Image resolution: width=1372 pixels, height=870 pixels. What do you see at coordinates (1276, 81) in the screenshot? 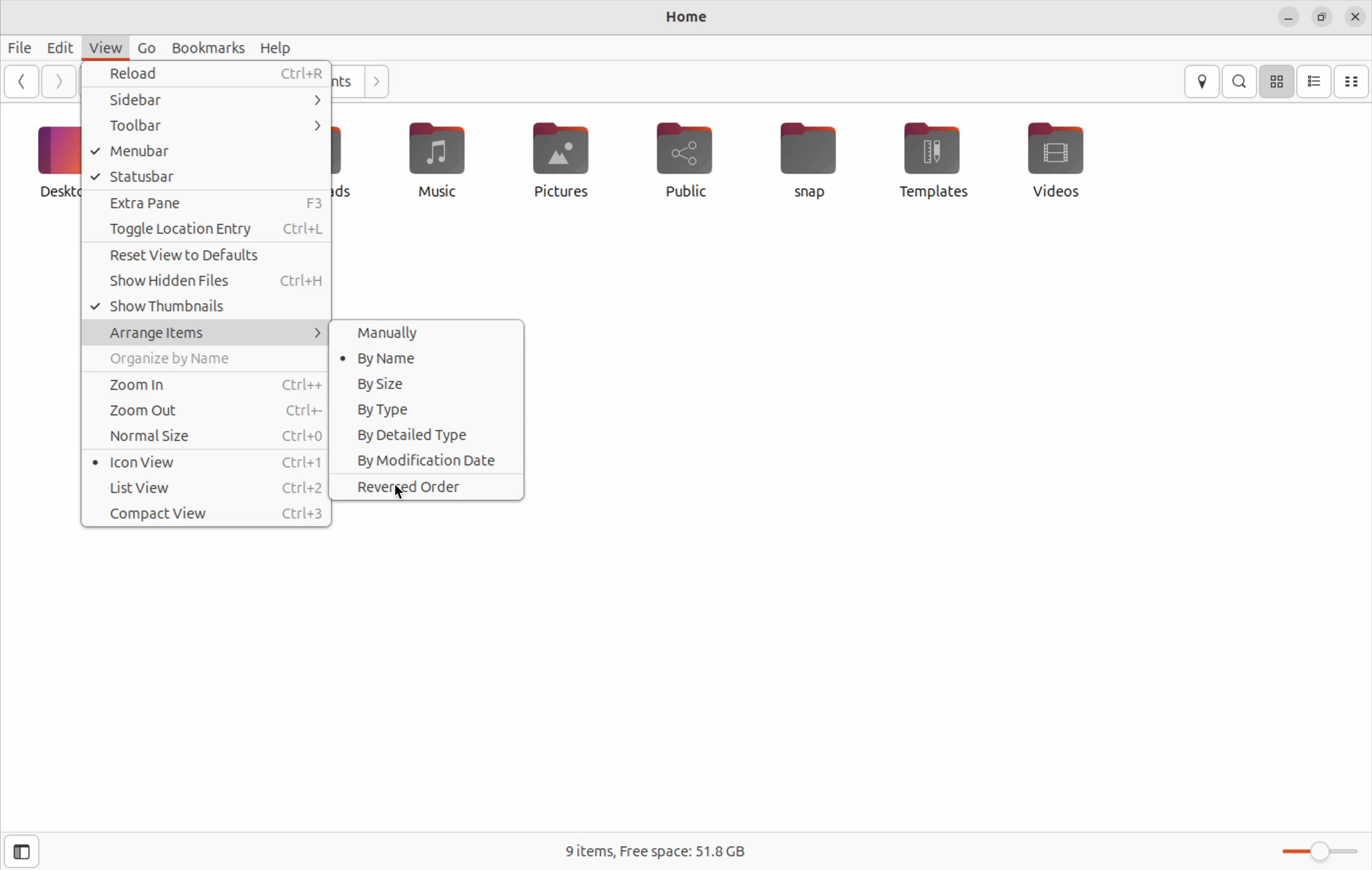
I see `icon view` at bounding box center [1276, 81].